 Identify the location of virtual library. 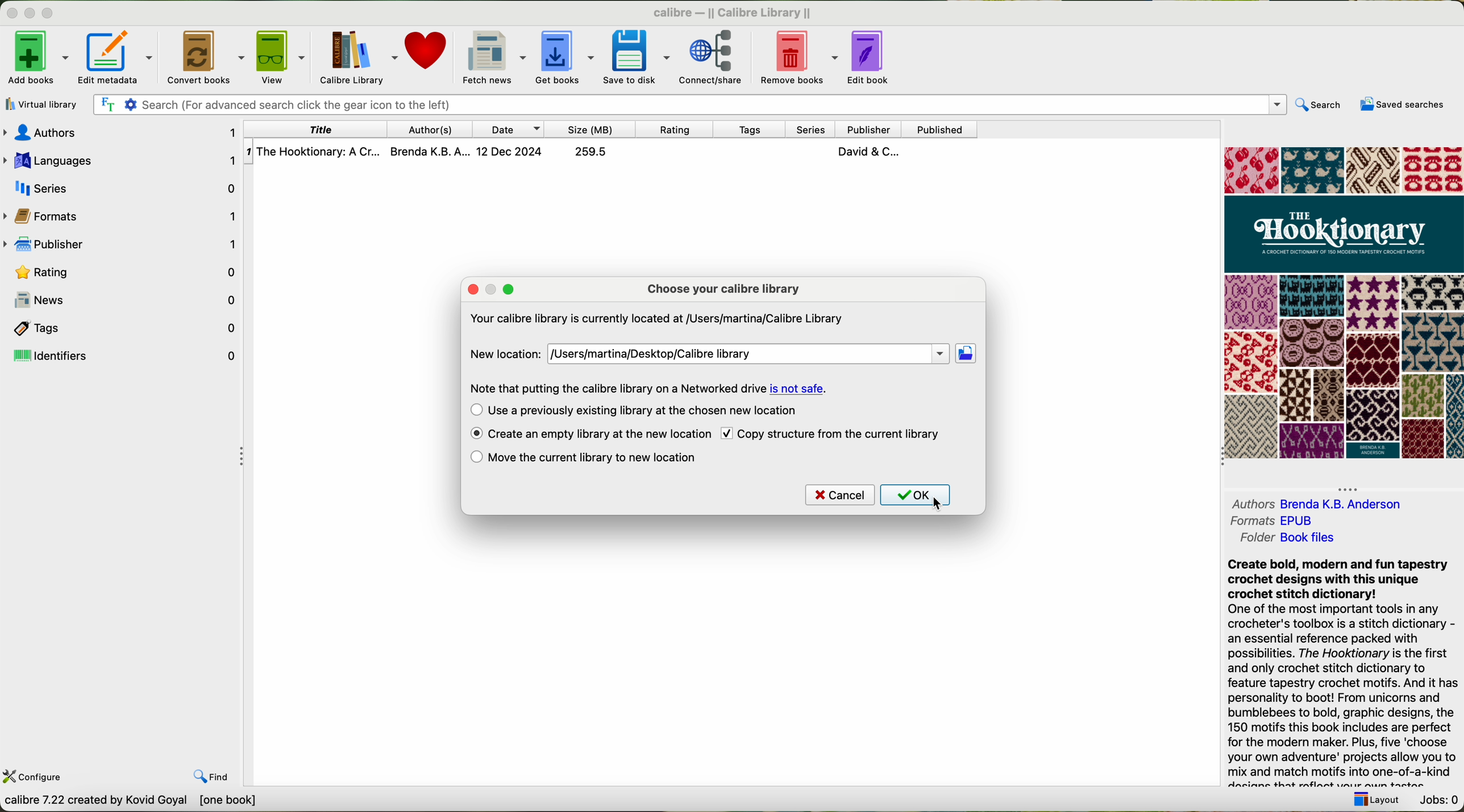
(40, 105).